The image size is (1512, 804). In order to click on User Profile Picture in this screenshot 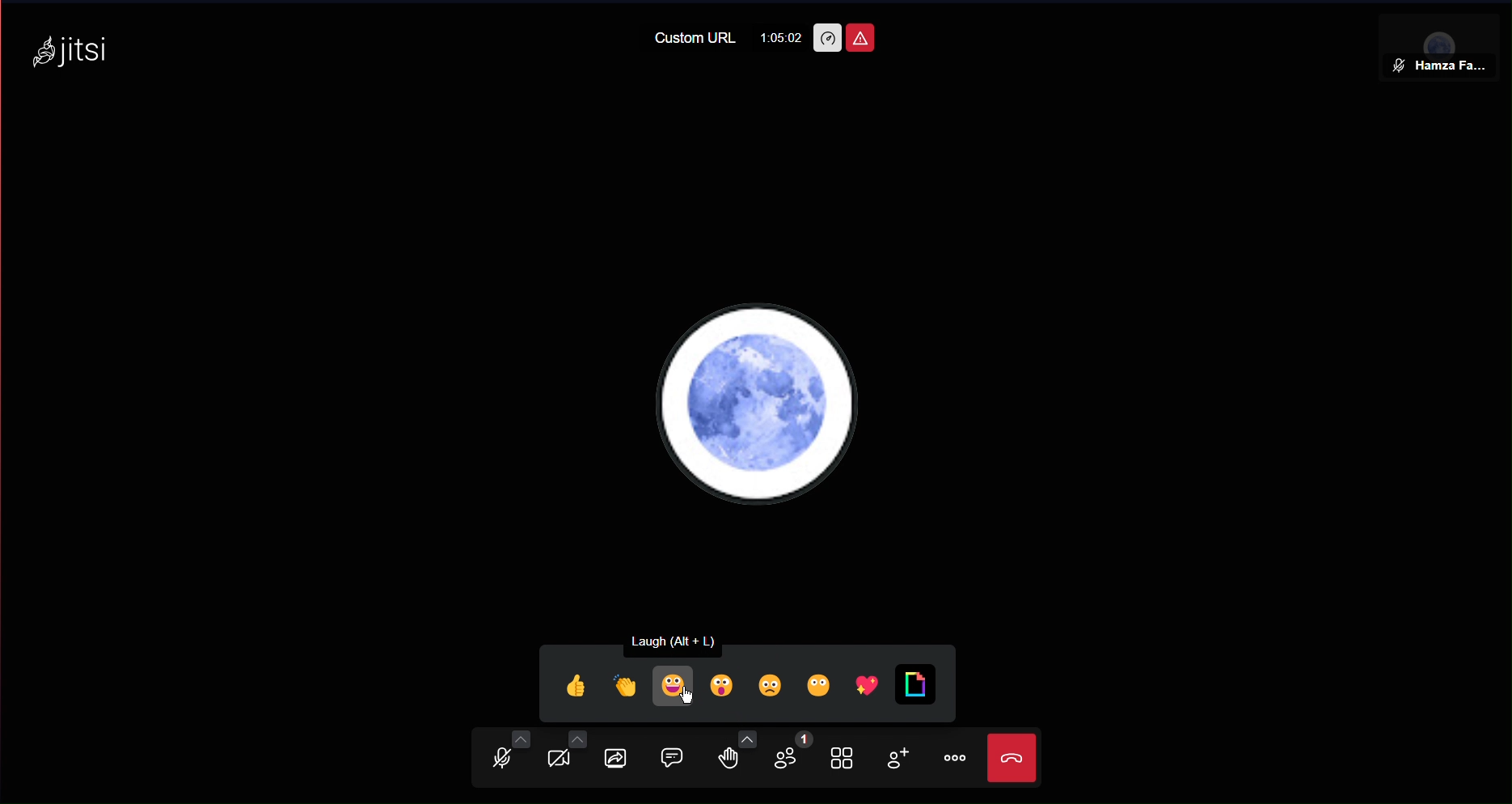, I will do `click(761, 403)`.